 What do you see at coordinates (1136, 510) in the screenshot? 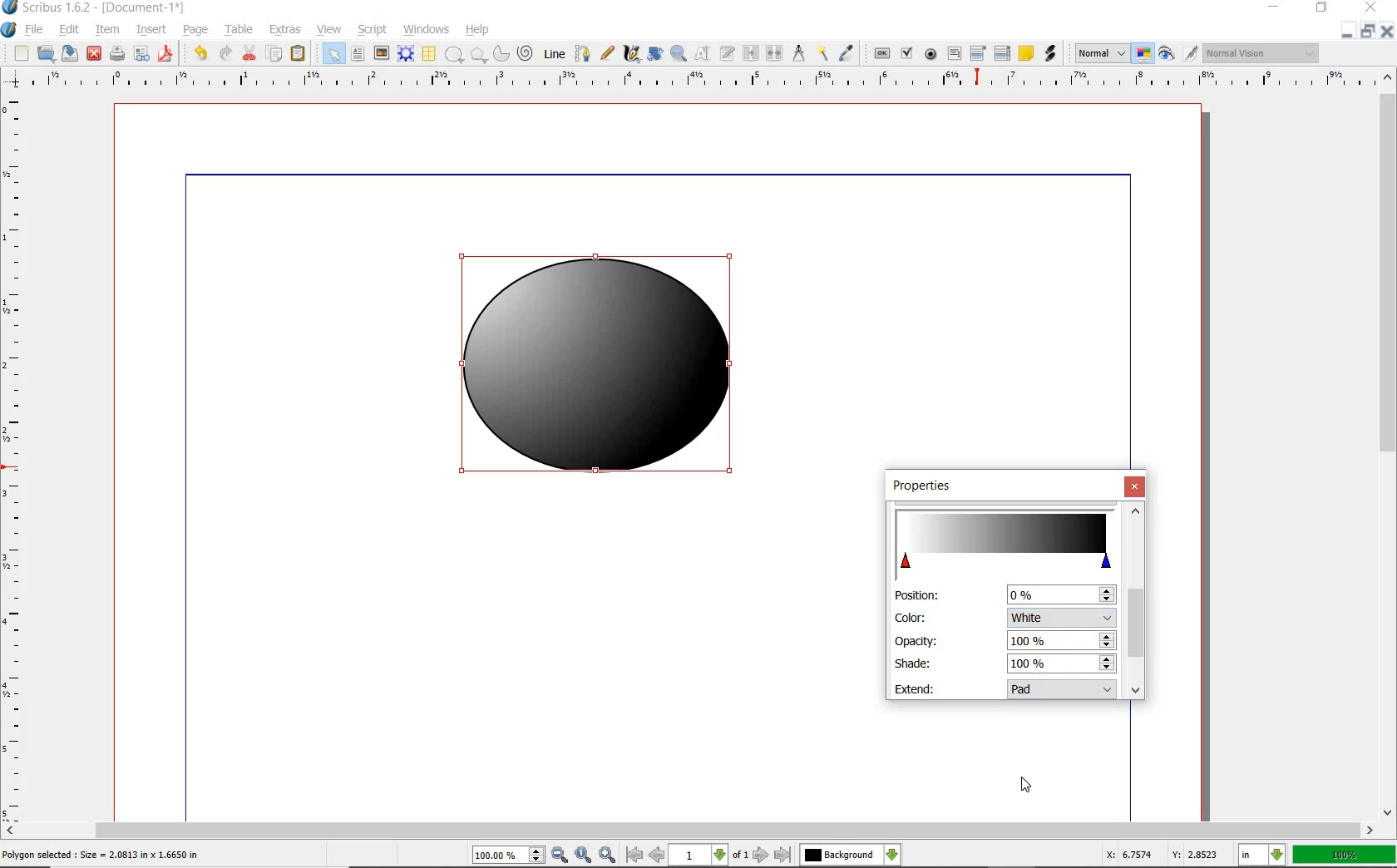
I see `scroll up` at bounding box center [1136, 510].